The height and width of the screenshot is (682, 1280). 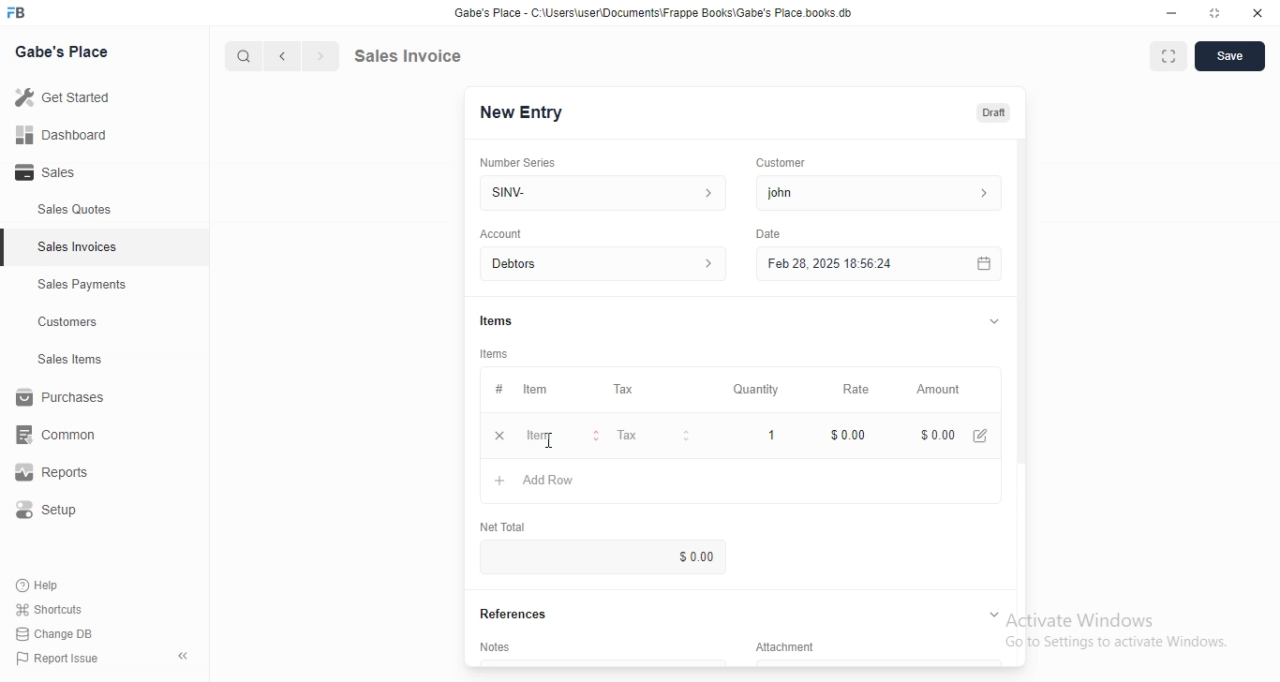 What do you see at coordinates (1230, 57) in the screenshot?
I see `Save` at bounding box center [1230, 57].